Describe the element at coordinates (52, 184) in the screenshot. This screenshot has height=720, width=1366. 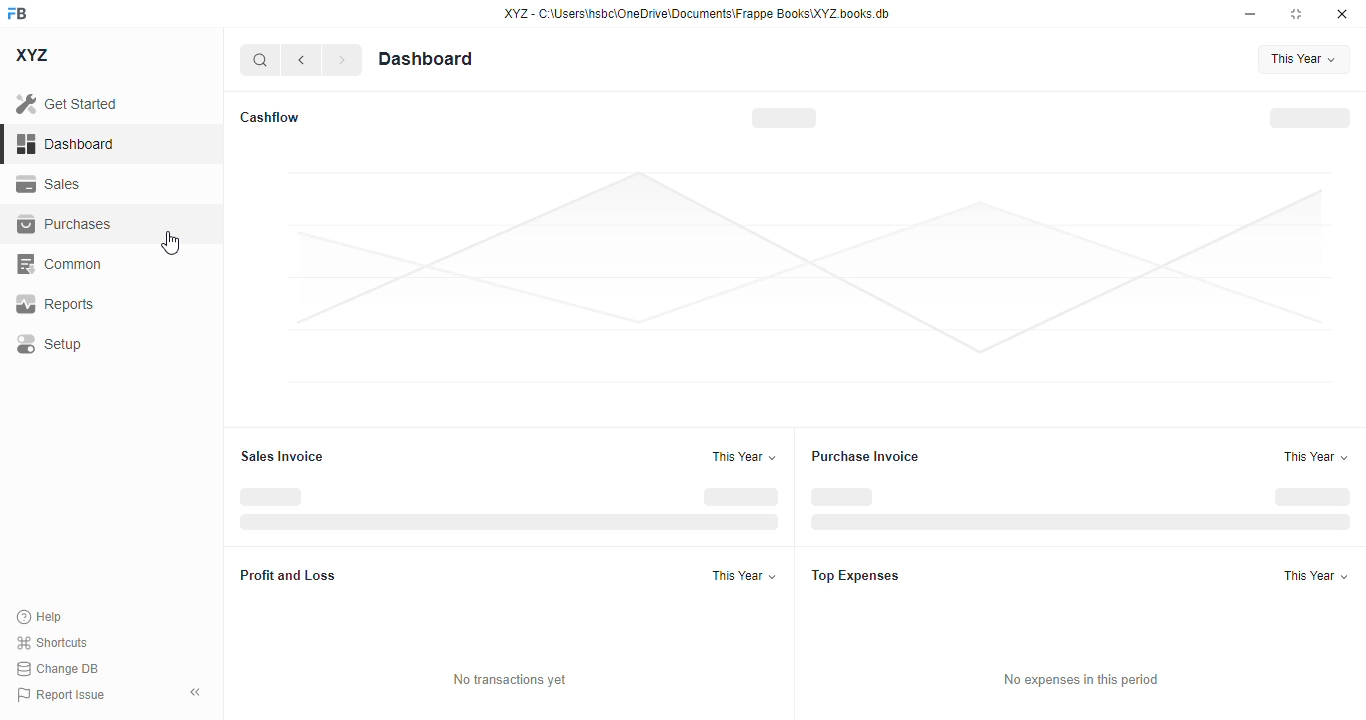
I see `sales` at that location.